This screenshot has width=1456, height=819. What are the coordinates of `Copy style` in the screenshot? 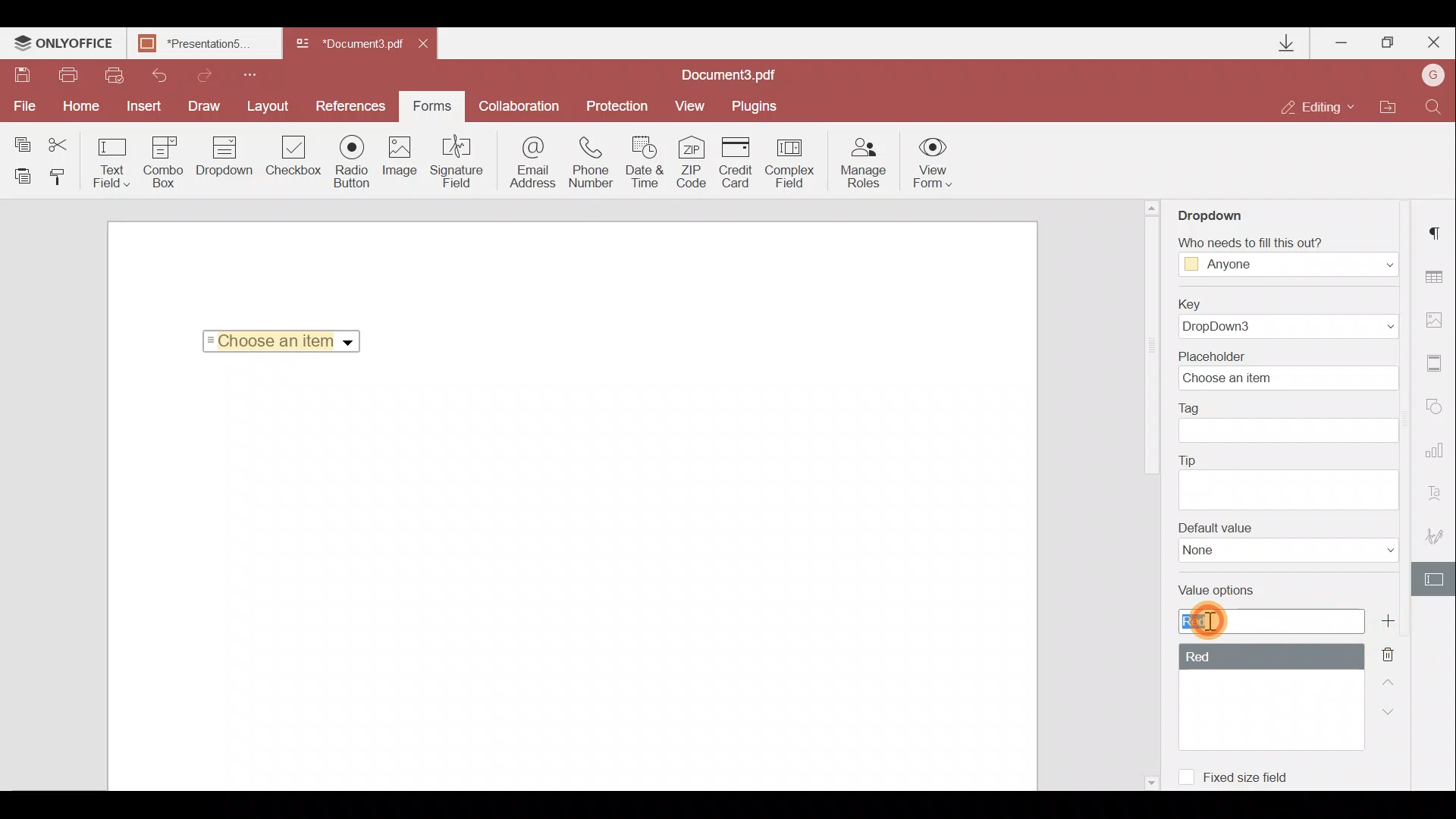 It's located at (63, 180).